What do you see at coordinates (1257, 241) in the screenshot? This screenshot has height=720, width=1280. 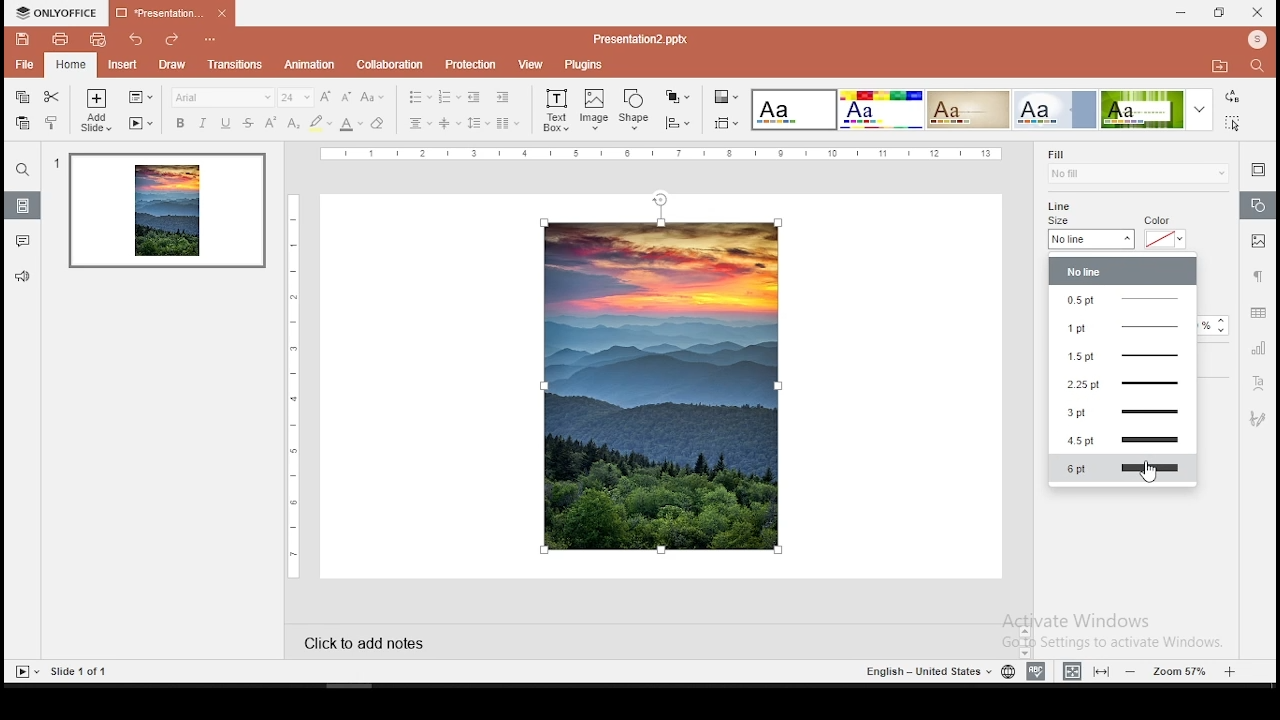 I see `image settings` at bounding box center [1257, 241].